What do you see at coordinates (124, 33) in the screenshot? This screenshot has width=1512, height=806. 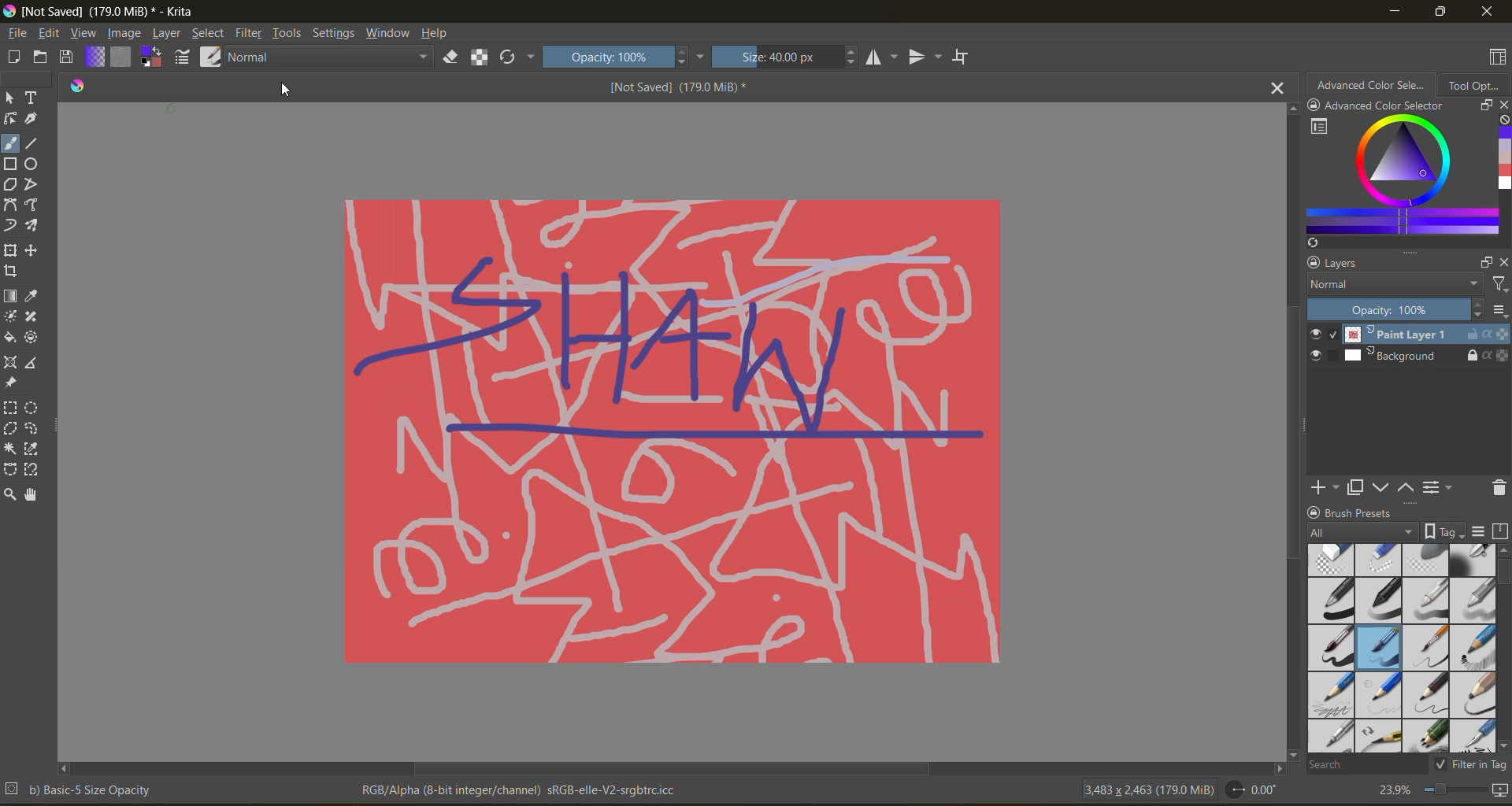 I see `image` at bounding box center [124, 33].